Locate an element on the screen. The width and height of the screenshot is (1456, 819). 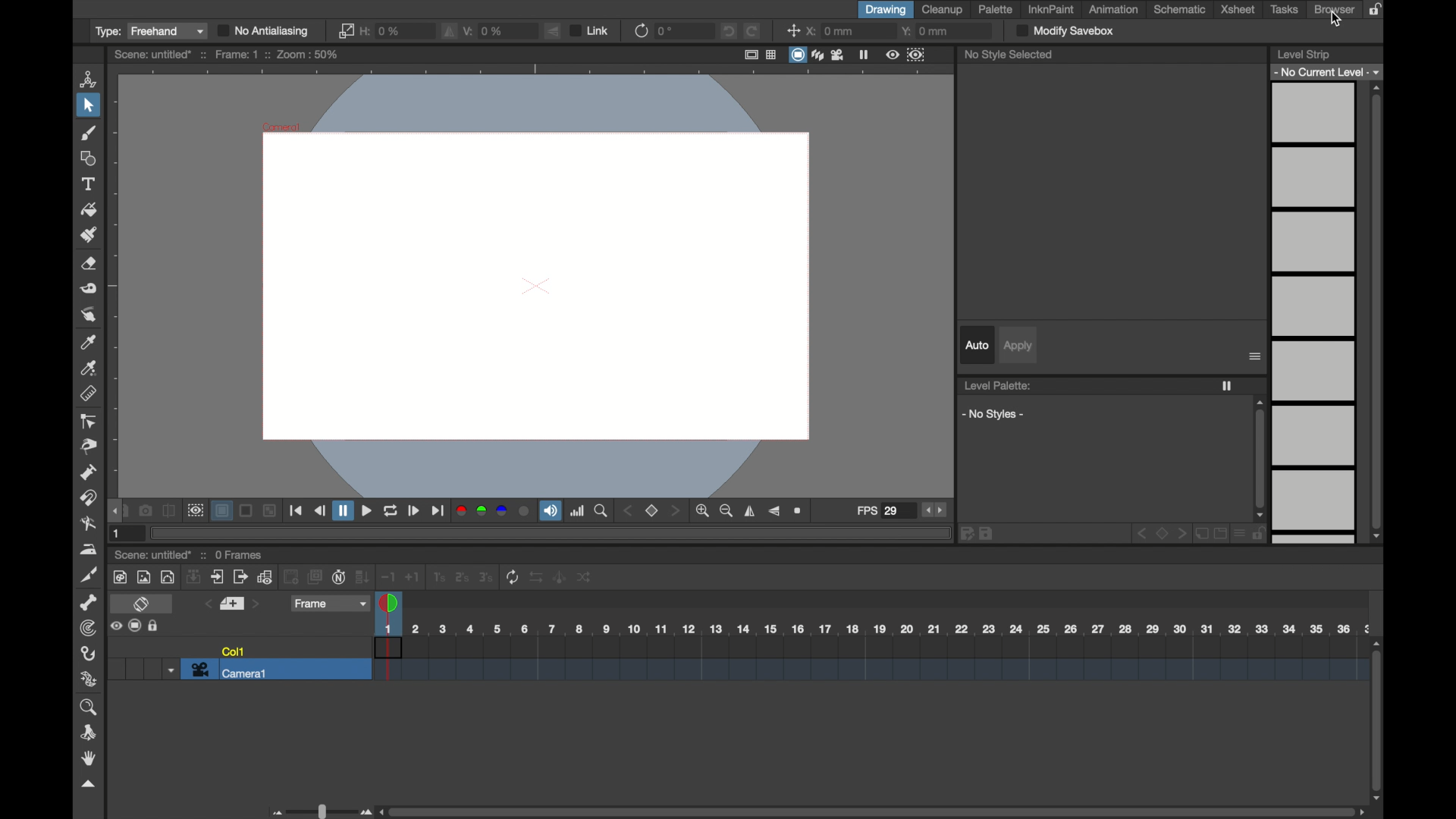
palette is located at coordinates (996, 9).